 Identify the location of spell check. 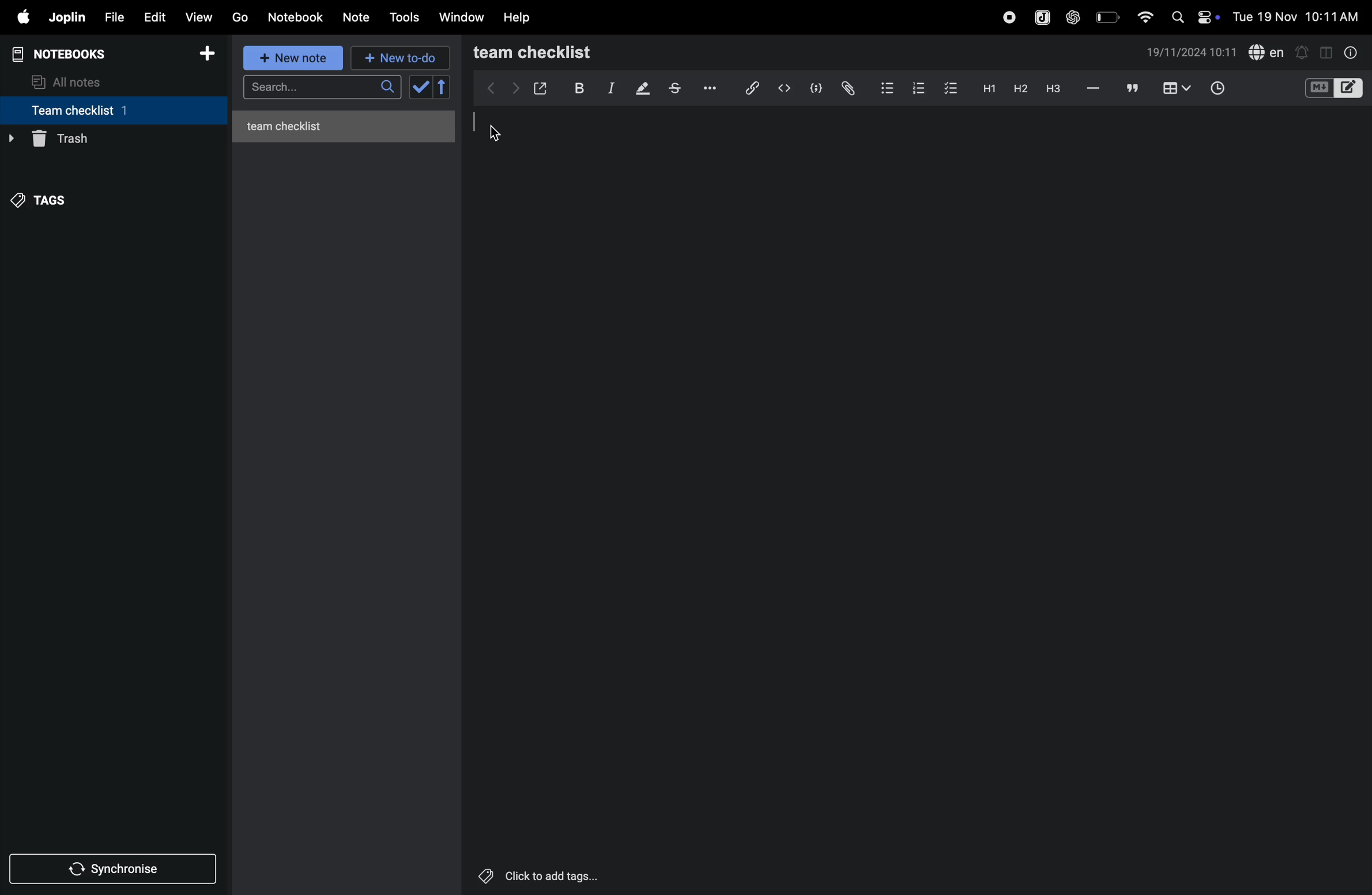
(1268, 52).